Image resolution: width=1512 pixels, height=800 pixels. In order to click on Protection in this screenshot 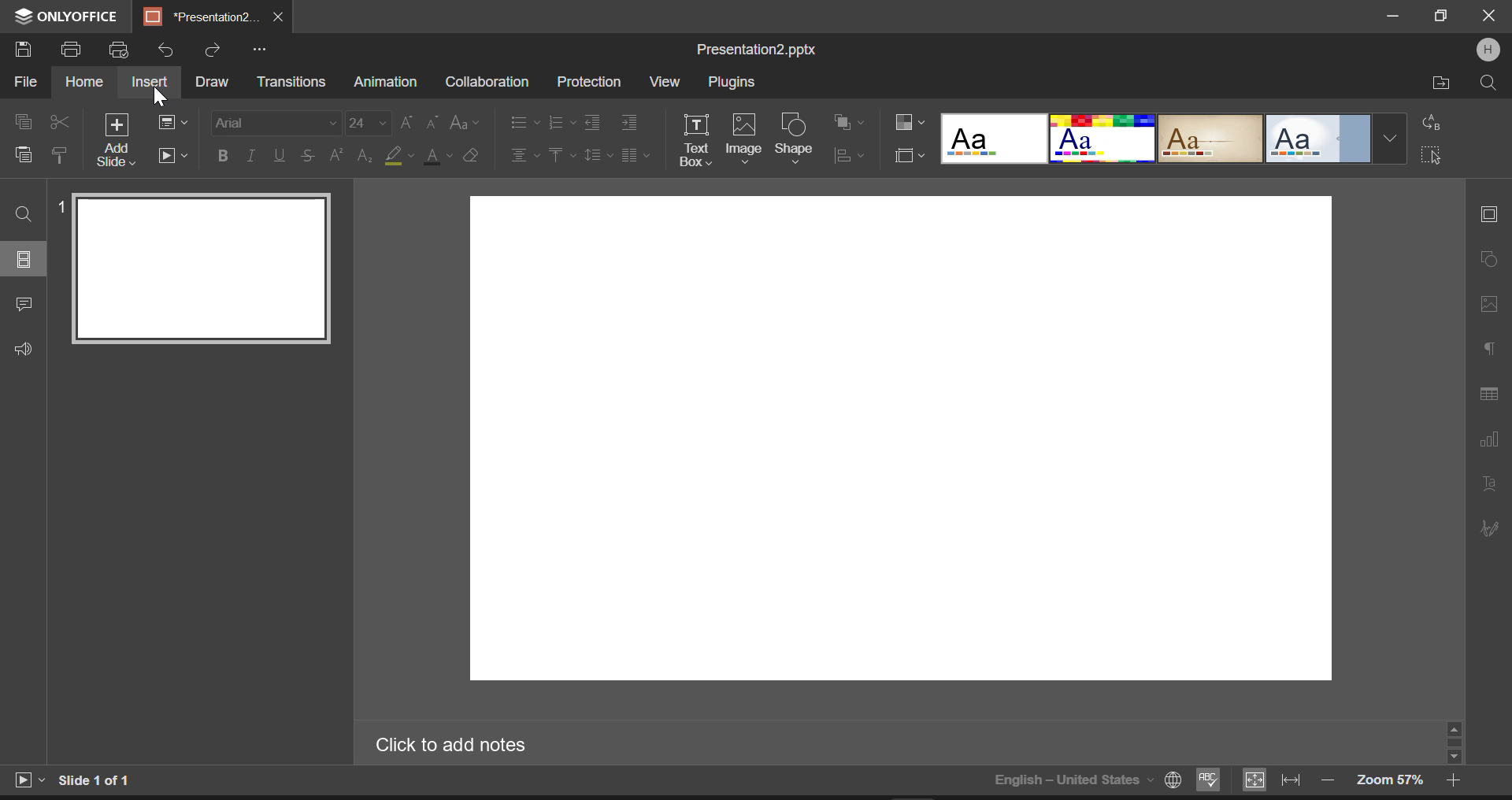, I will do `click(592, 81)`.